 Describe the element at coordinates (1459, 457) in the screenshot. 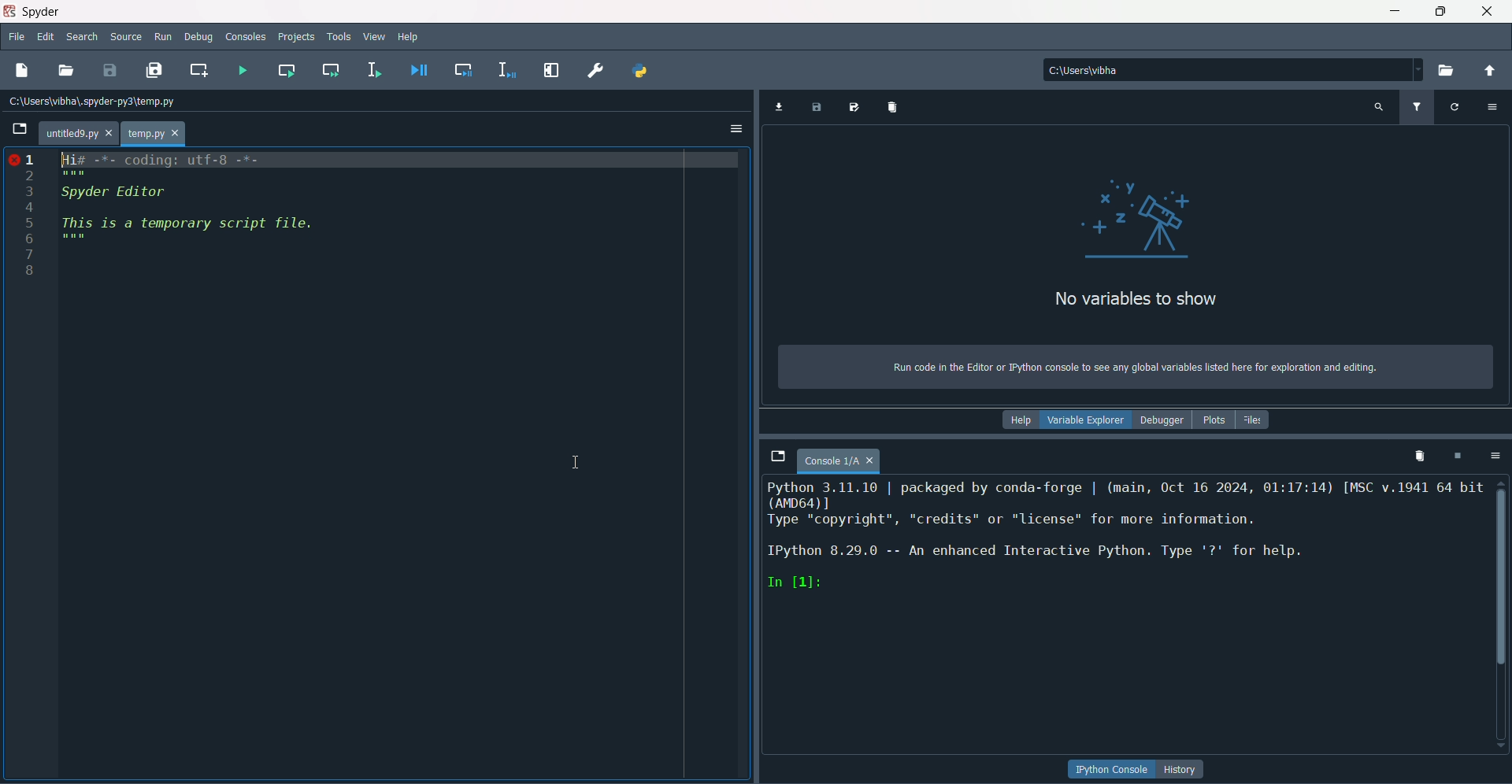

I see `interrupt kernel` at that location.